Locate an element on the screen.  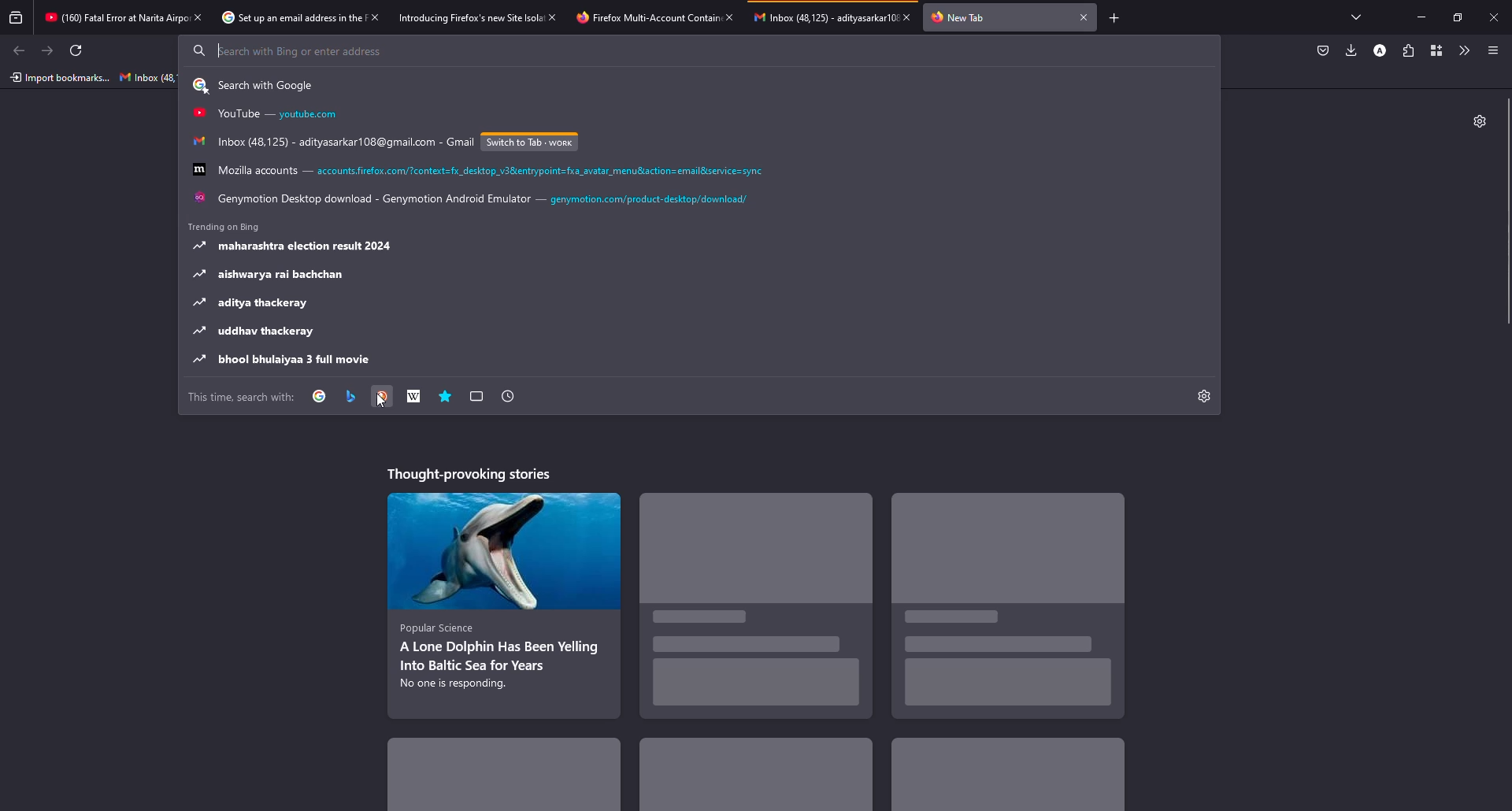
stories is located at coordinates (1011, 608).